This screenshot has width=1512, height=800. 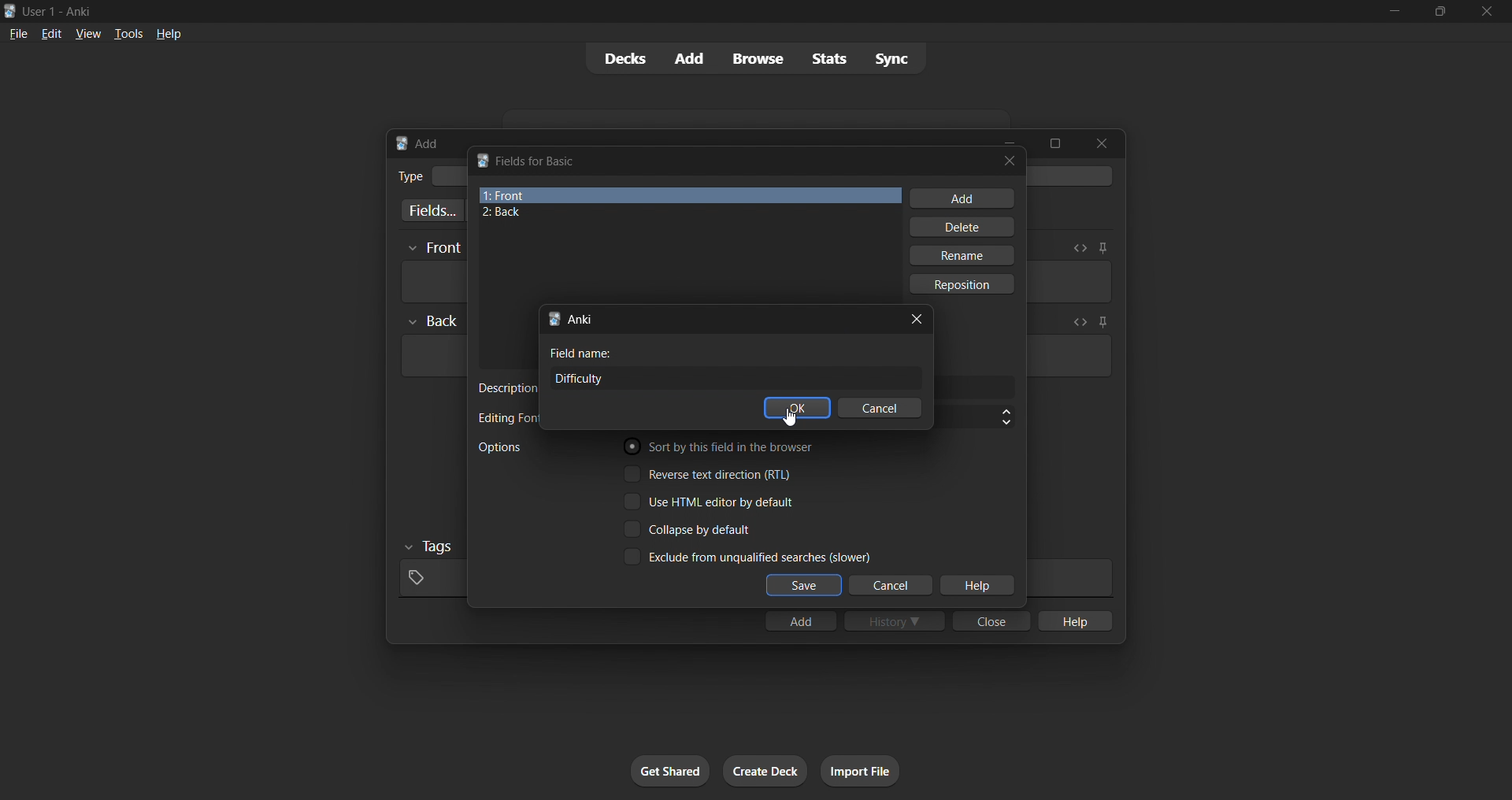 I want to click on sync, so click(x=891, y=57).